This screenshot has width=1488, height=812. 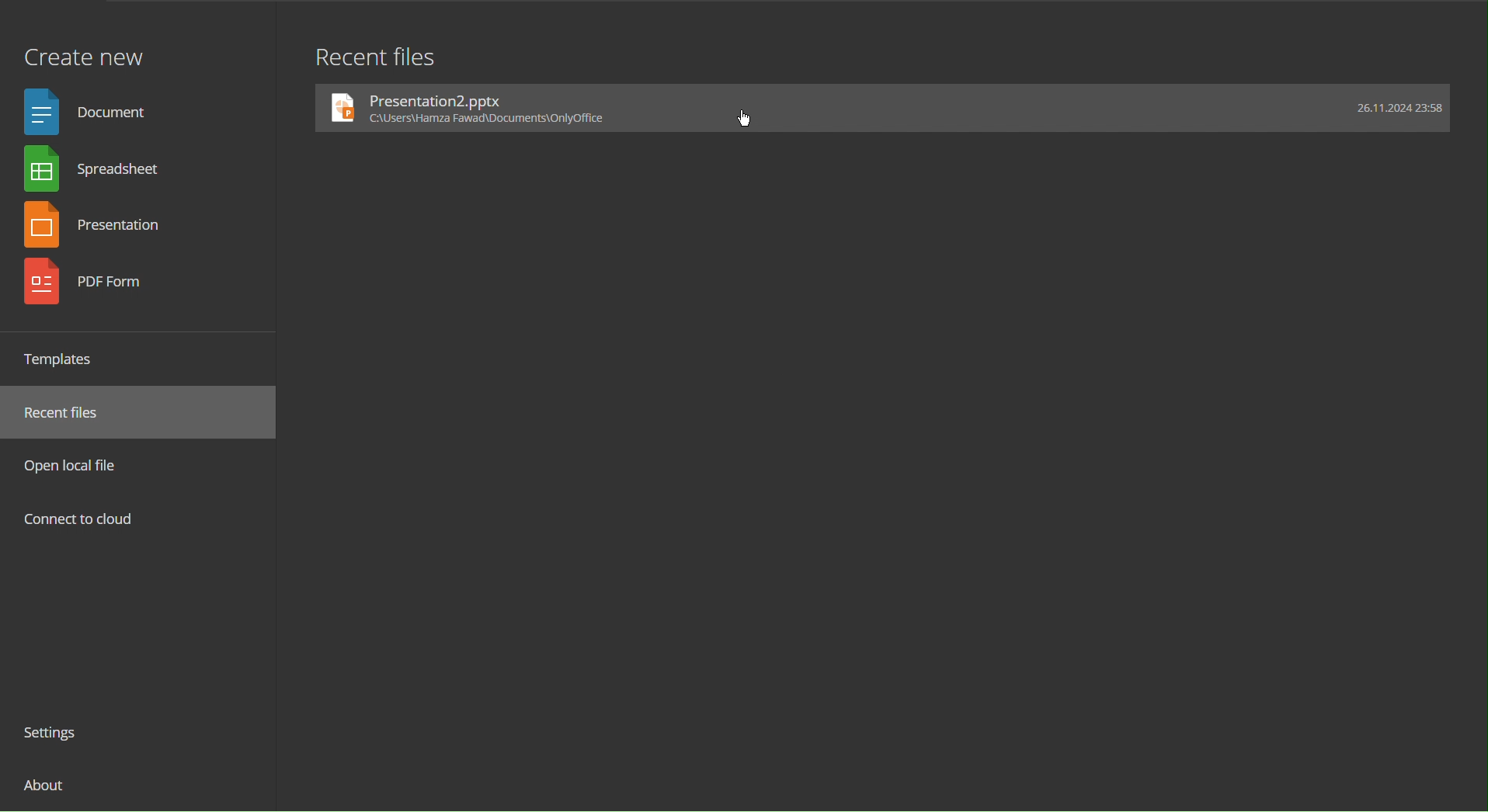 What do you see at coordinates (749, 117) in the screenshot?
I see `cursor` at bounding box center [749, 117].